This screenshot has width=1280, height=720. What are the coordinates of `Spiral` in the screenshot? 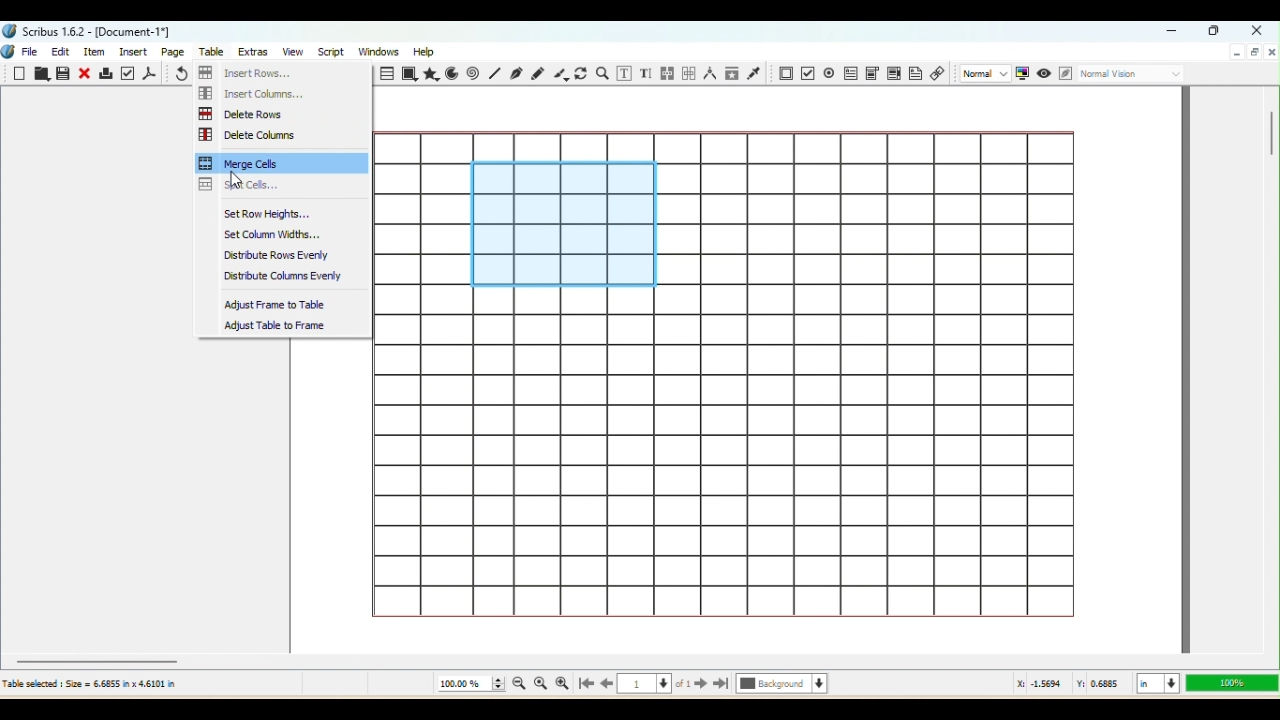 It's located at (475, 74).